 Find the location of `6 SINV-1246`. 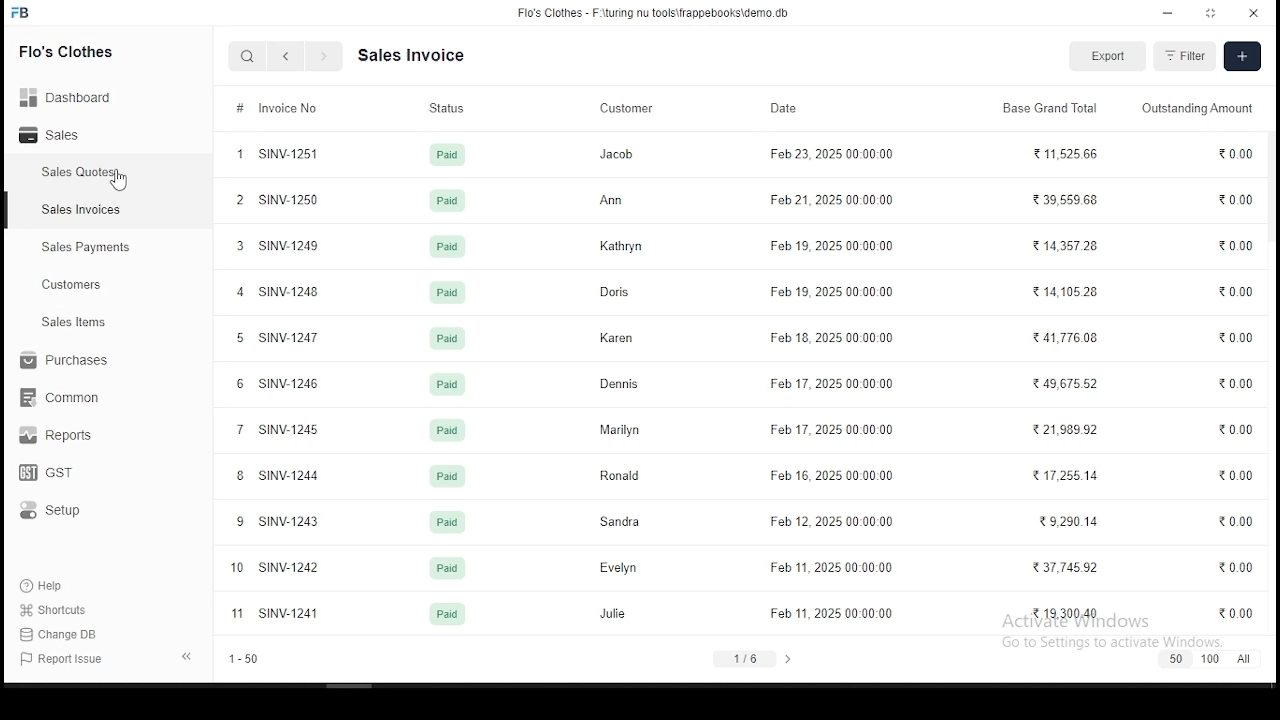

6 SINV-1246 is located at coordinates (283, 380).